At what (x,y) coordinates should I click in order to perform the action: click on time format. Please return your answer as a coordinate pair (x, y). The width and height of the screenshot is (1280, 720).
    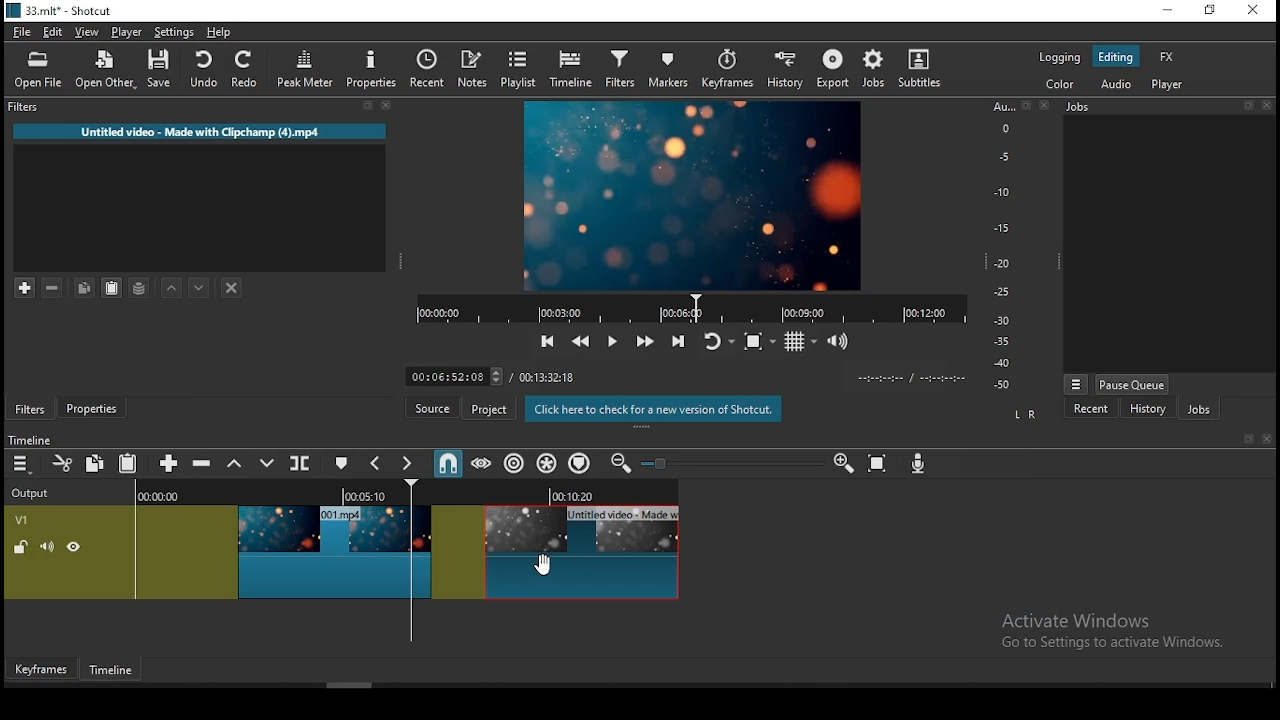
    Looking at the image, I should click on (911, 377).